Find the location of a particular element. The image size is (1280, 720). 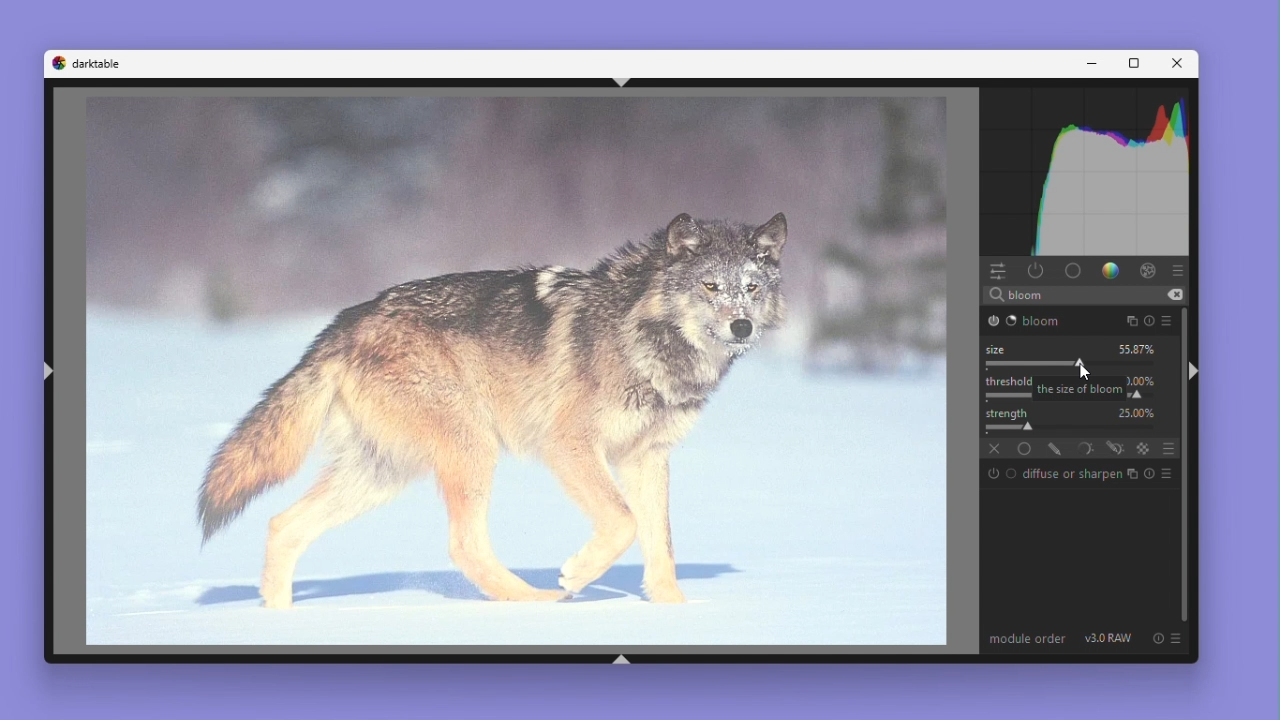

Size is located at coordinates (1001, 348).